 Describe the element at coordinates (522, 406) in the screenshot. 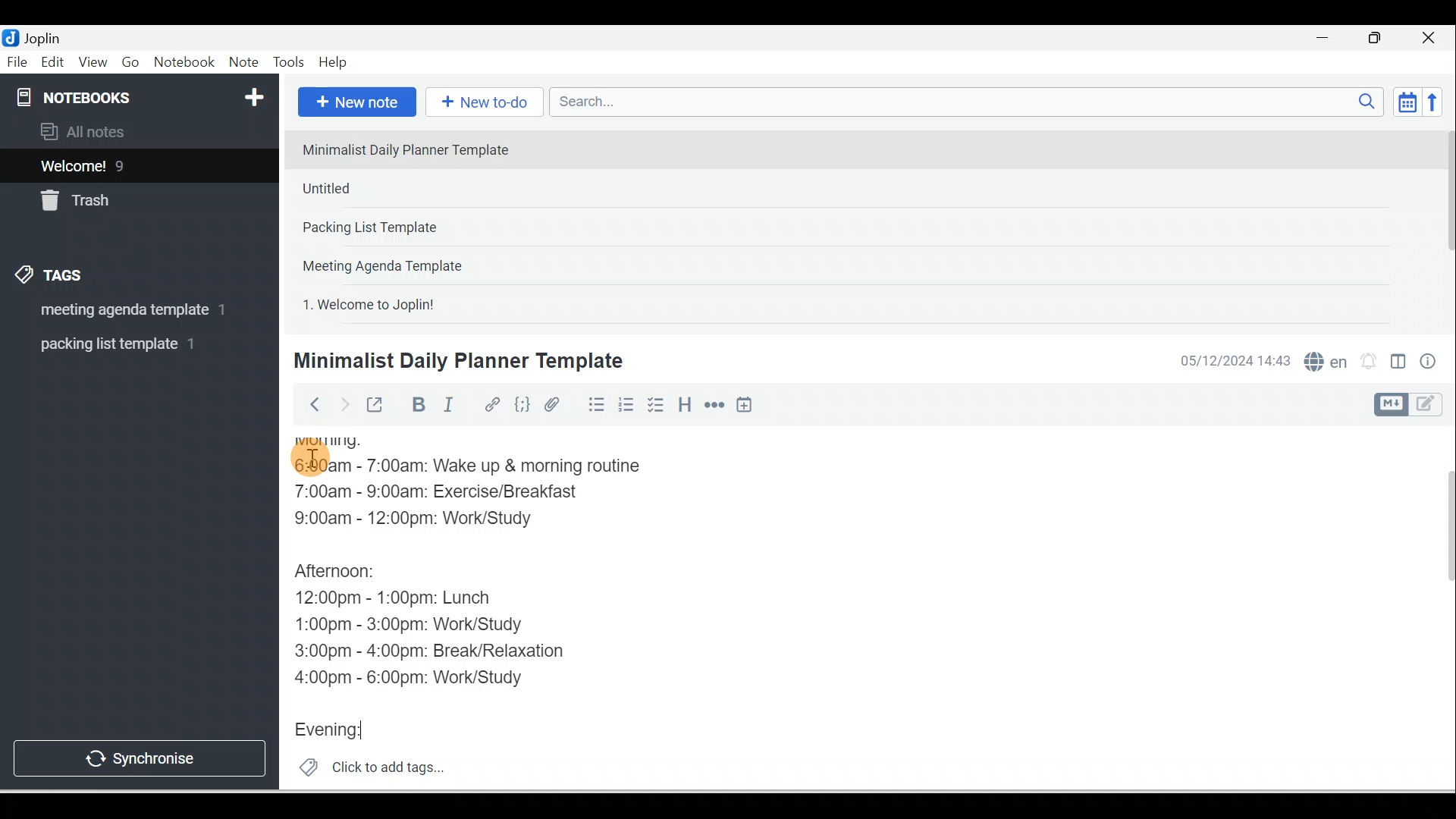

I see `Code` at that location.